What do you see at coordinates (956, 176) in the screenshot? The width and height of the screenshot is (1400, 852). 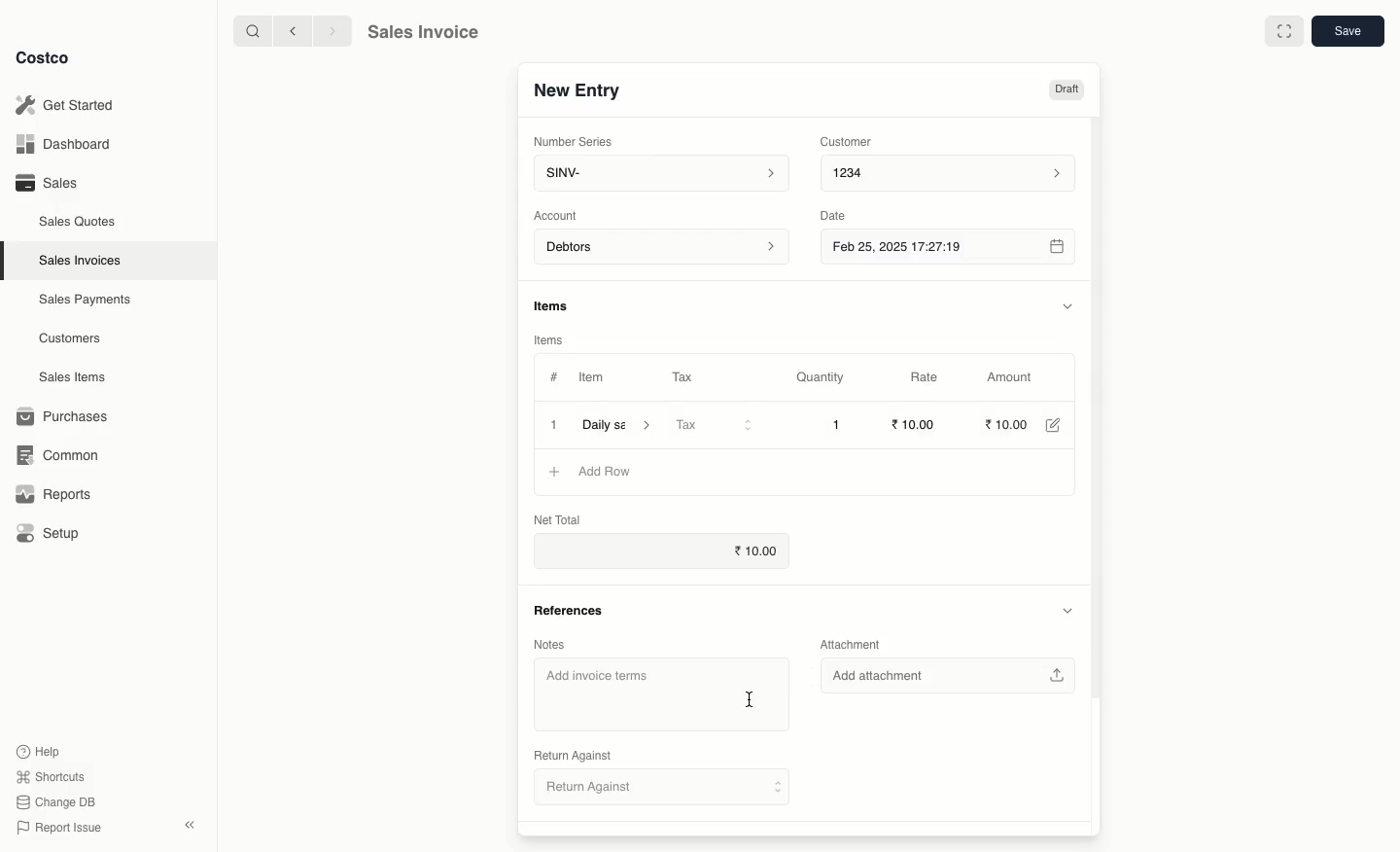 I see `1234` at bounding box center [956, 176].